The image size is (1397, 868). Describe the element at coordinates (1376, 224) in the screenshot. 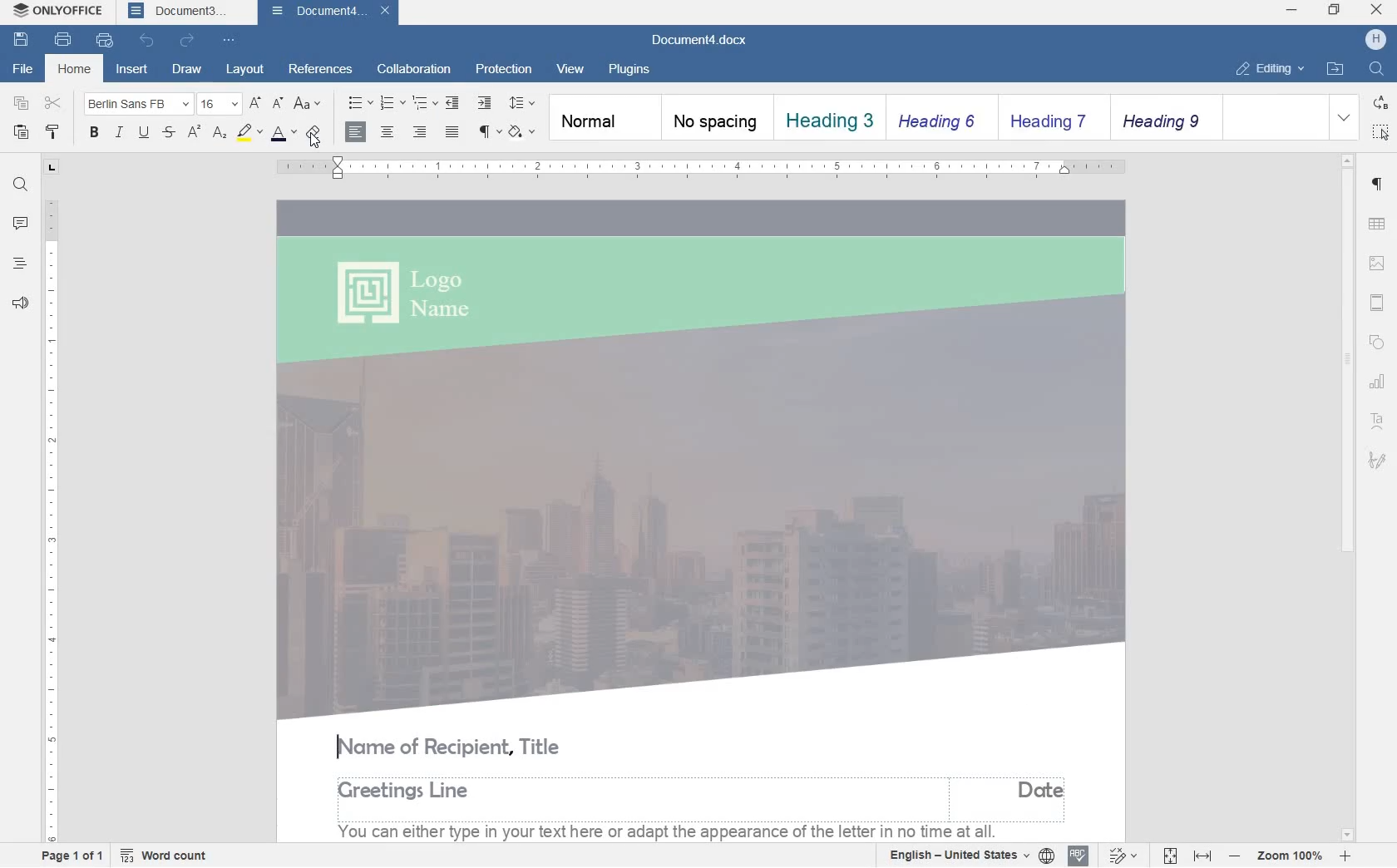

I see `table settings` at that location.